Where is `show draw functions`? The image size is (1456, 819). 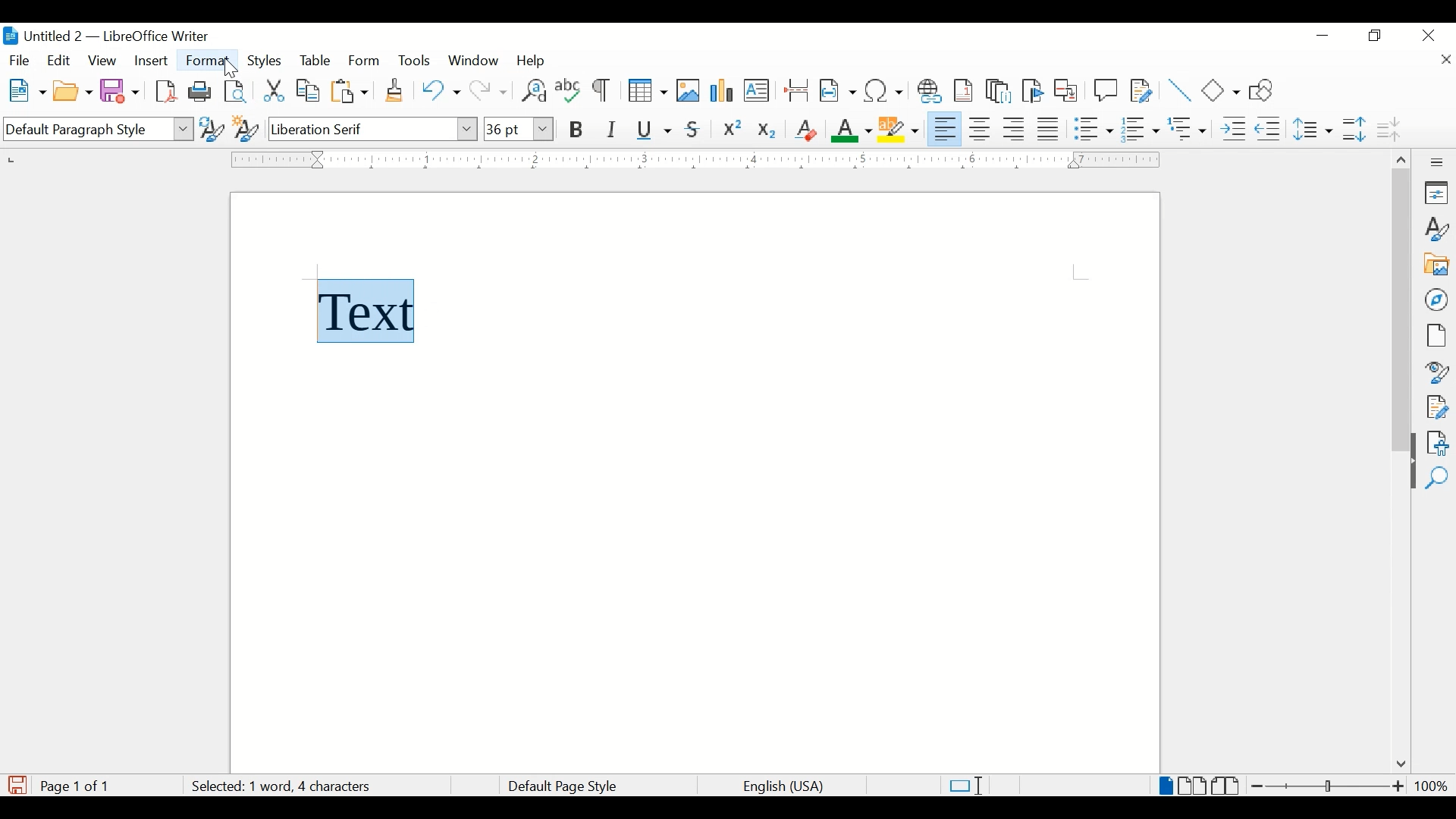 show draw functions is located at coordinates (1266, 89).